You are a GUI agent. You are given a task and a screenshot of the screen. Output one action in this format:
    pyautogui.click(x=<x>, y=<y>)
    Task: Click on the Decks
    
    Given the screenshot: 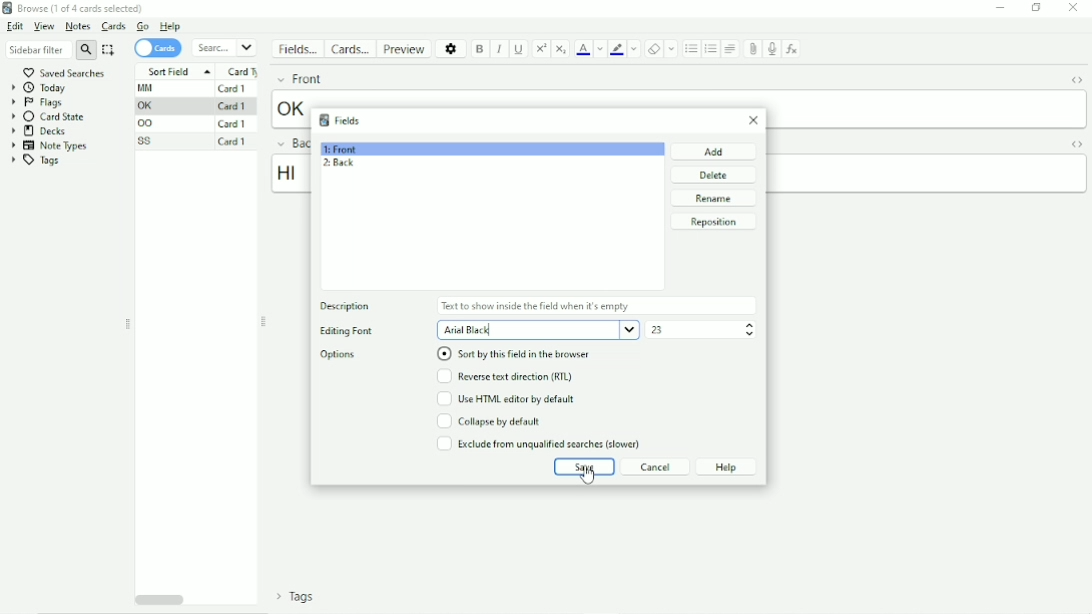 What is the action you would take?
    pyautogui.click(x=39, y=131)
    